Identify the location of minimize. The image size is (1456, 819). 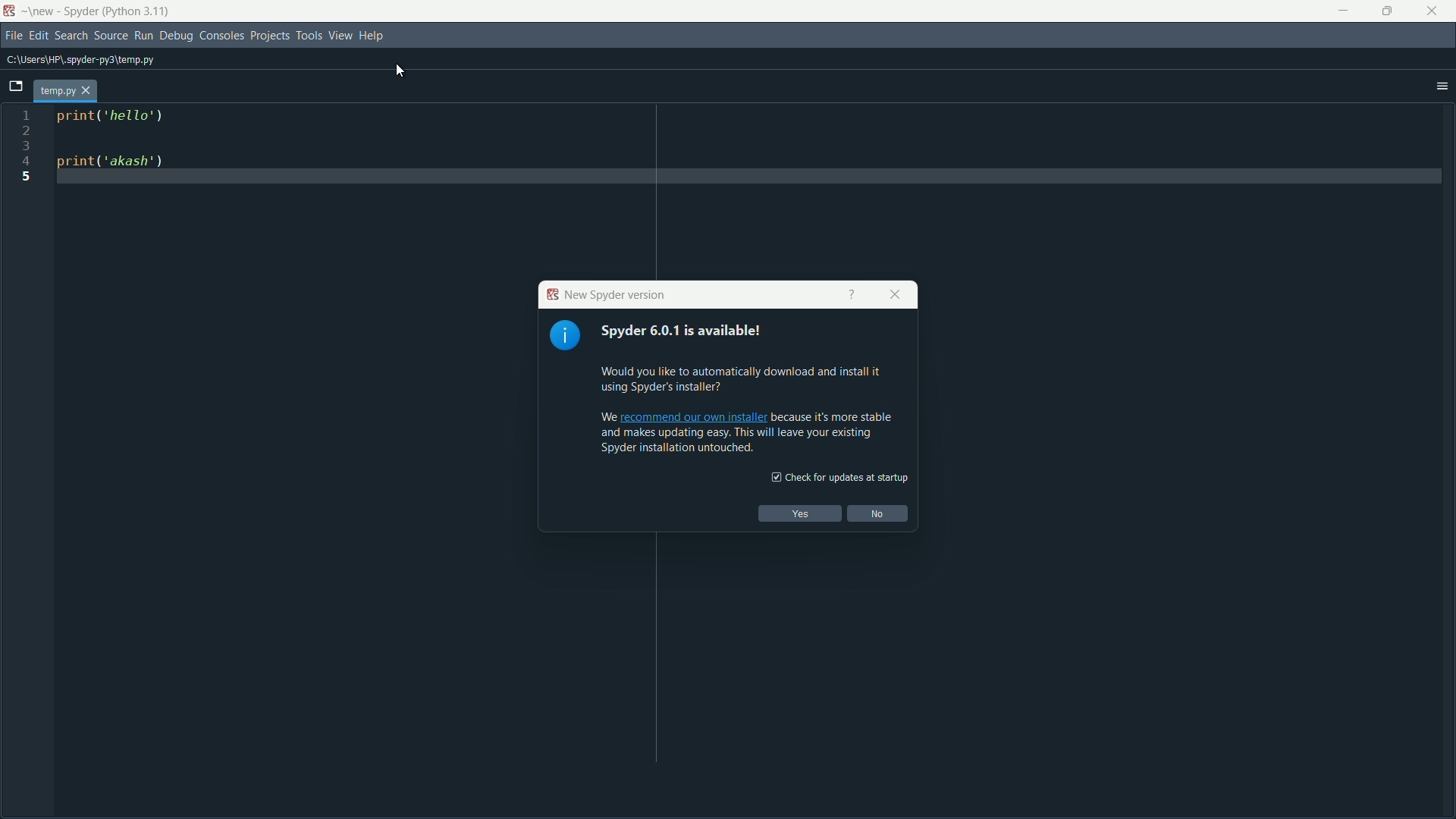
(1342, 10).